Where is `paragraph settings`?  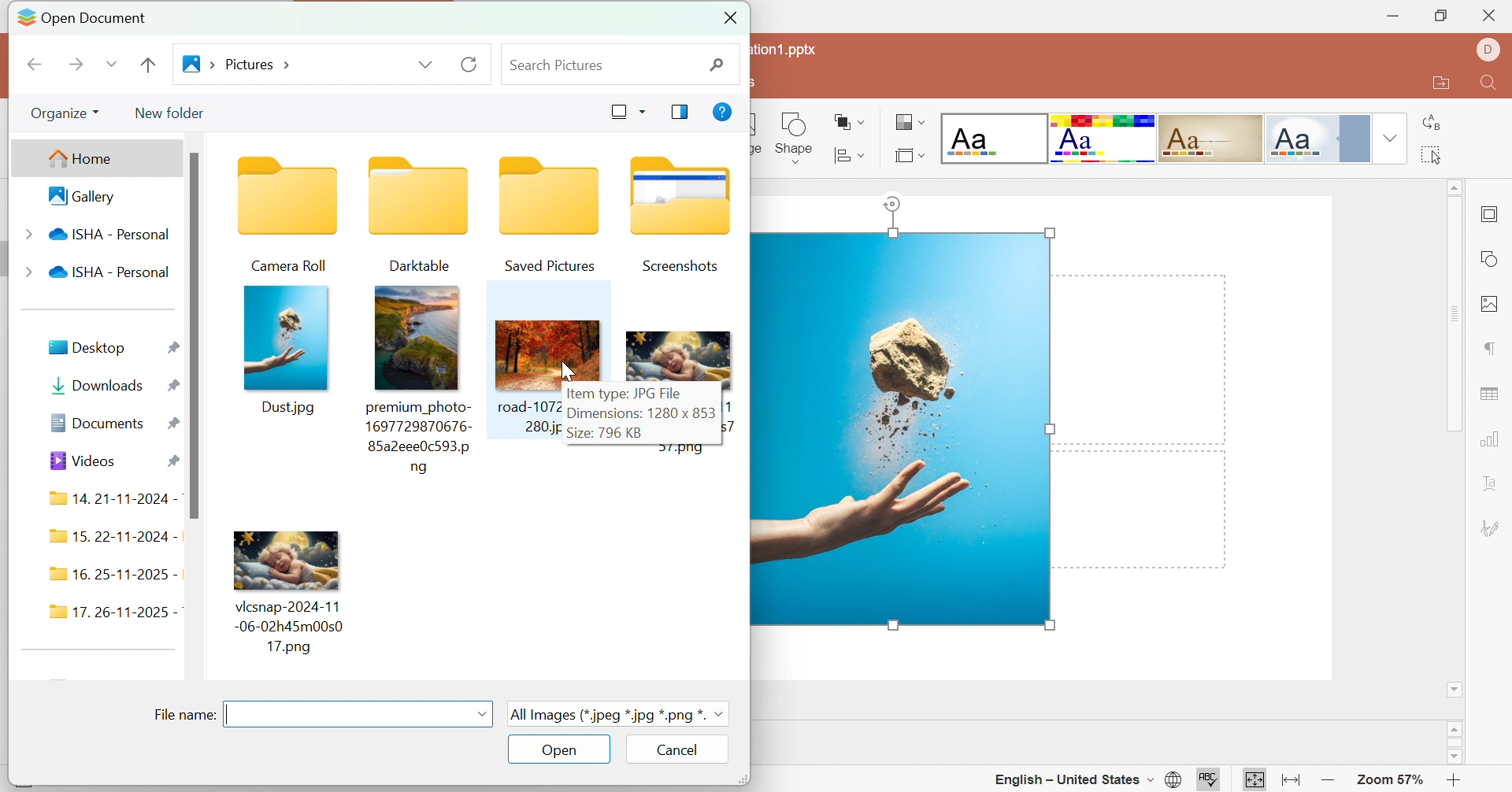
paragraph settings is located at coordinates (1491, 347).